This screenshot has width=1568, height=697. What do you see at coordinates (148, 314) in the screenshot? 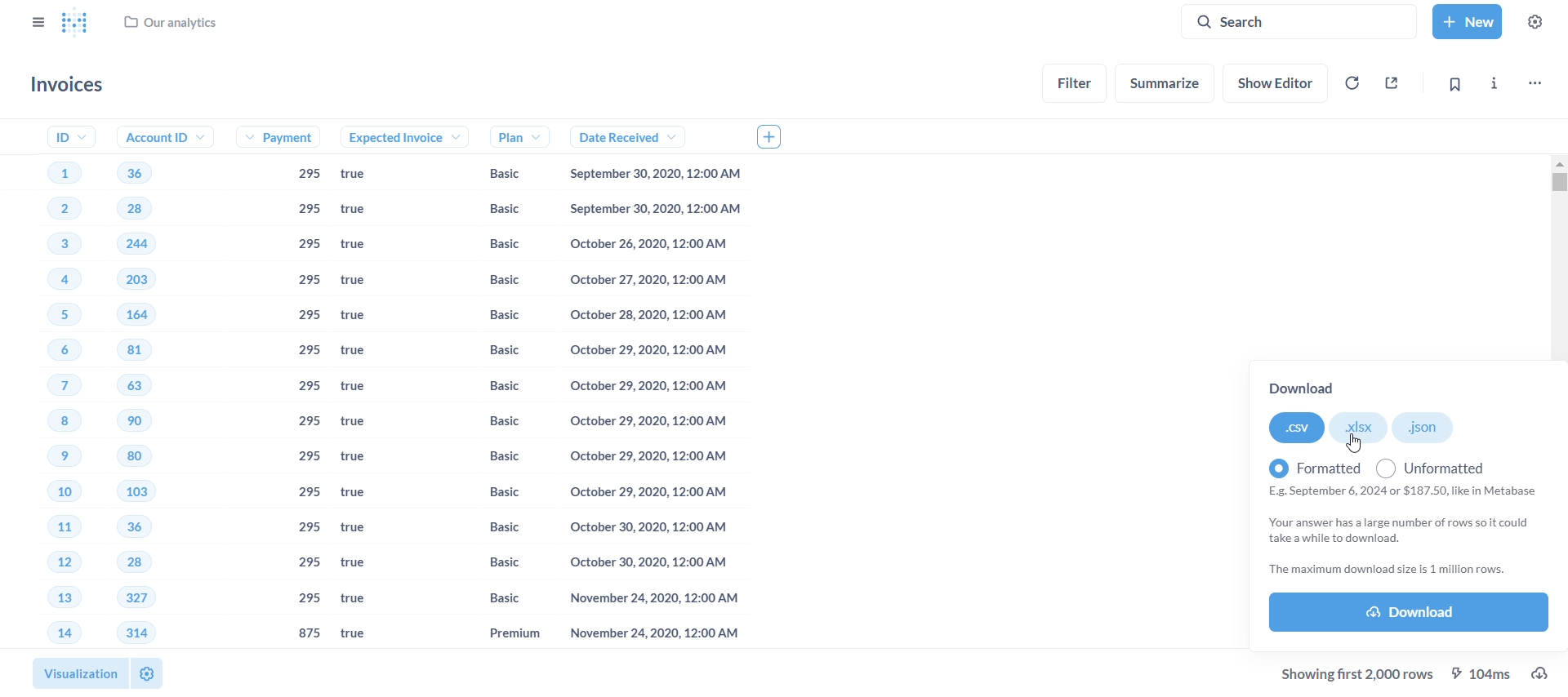
I see `164` at bounding box center [148, 314].